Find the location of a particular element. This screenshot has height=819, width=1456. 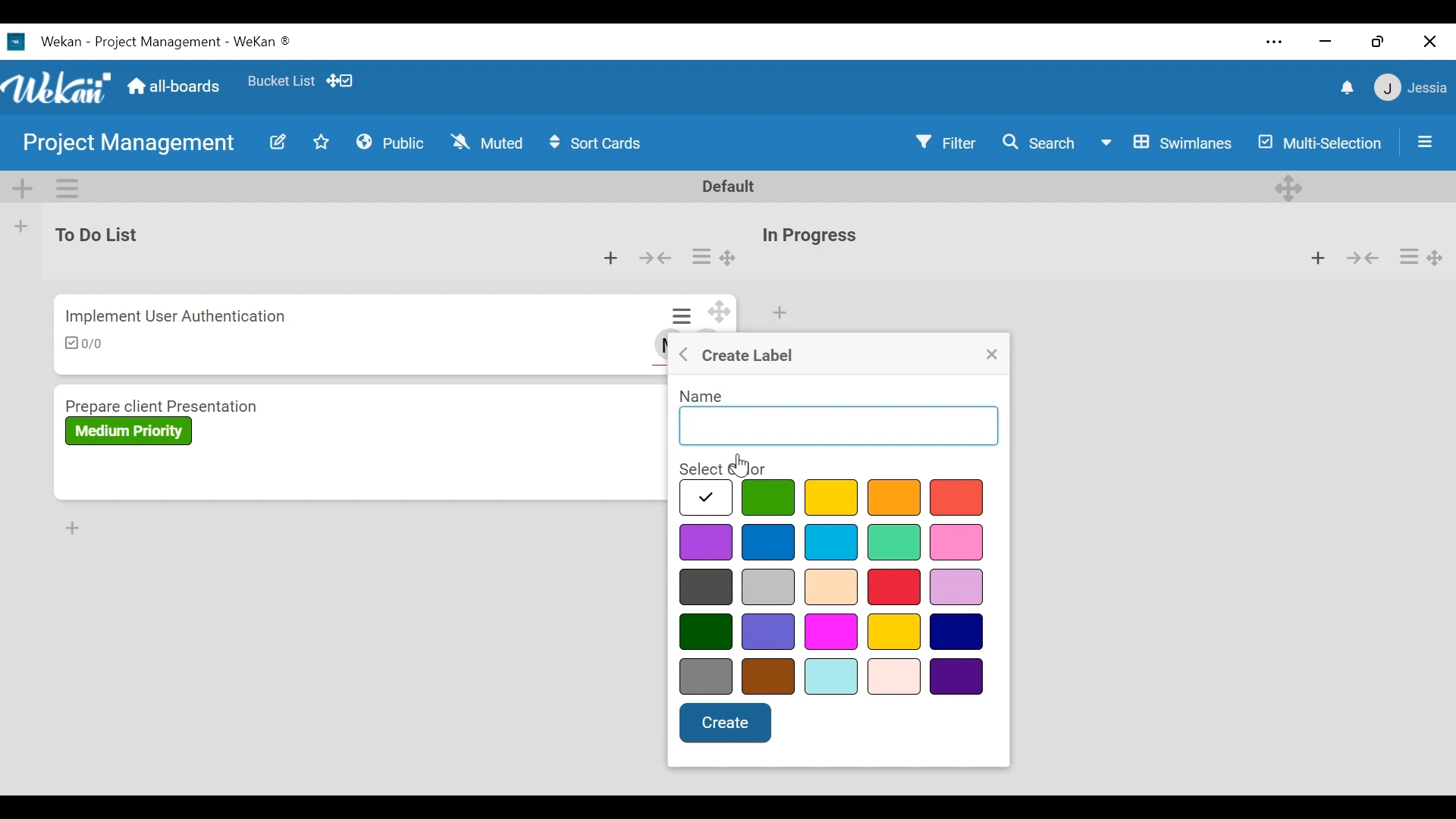

Select color is located at coordinates (723, 469).